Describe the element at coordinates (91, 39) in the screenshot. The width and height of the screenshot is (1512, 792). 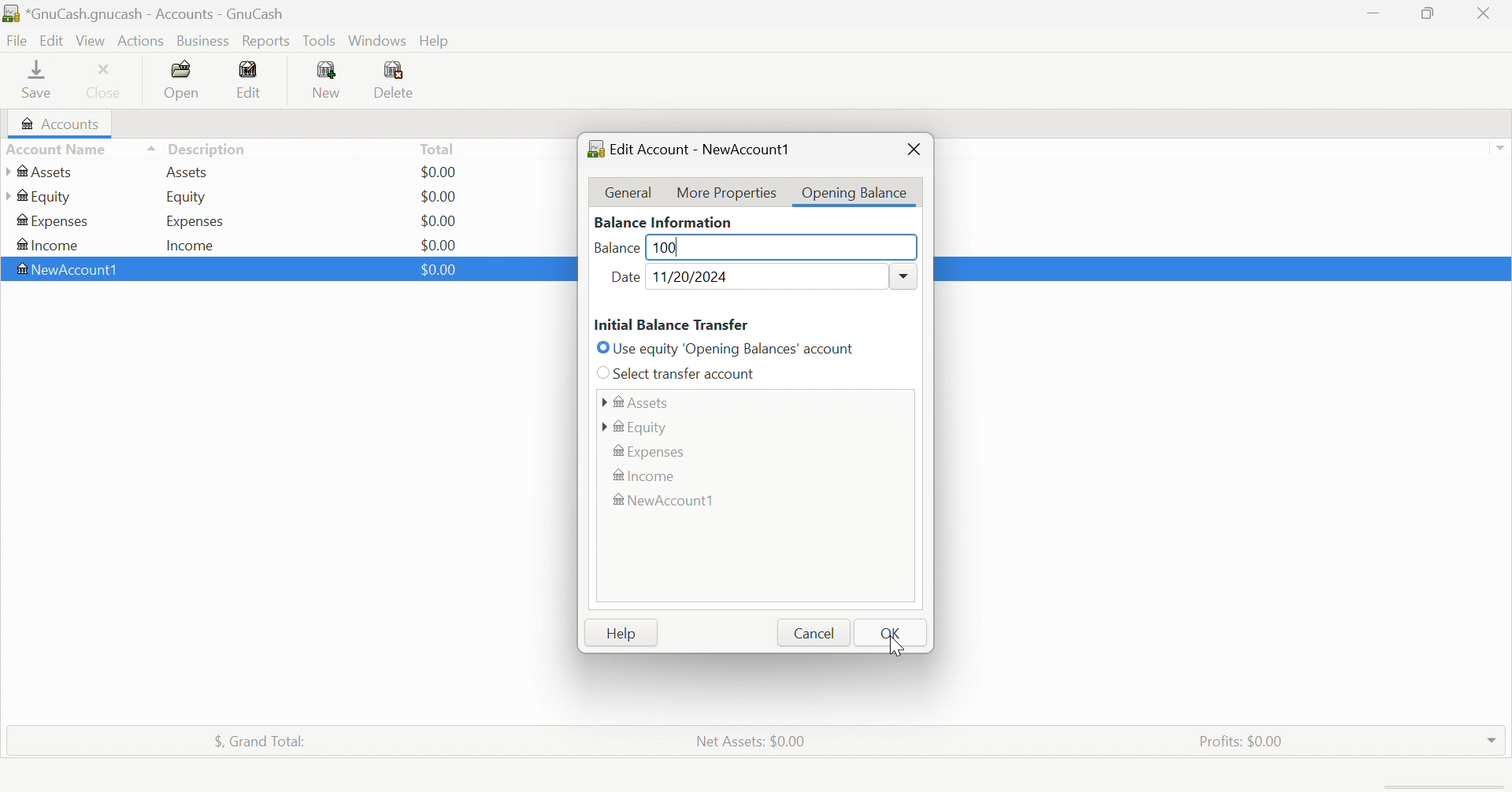
I see `View` at that location.